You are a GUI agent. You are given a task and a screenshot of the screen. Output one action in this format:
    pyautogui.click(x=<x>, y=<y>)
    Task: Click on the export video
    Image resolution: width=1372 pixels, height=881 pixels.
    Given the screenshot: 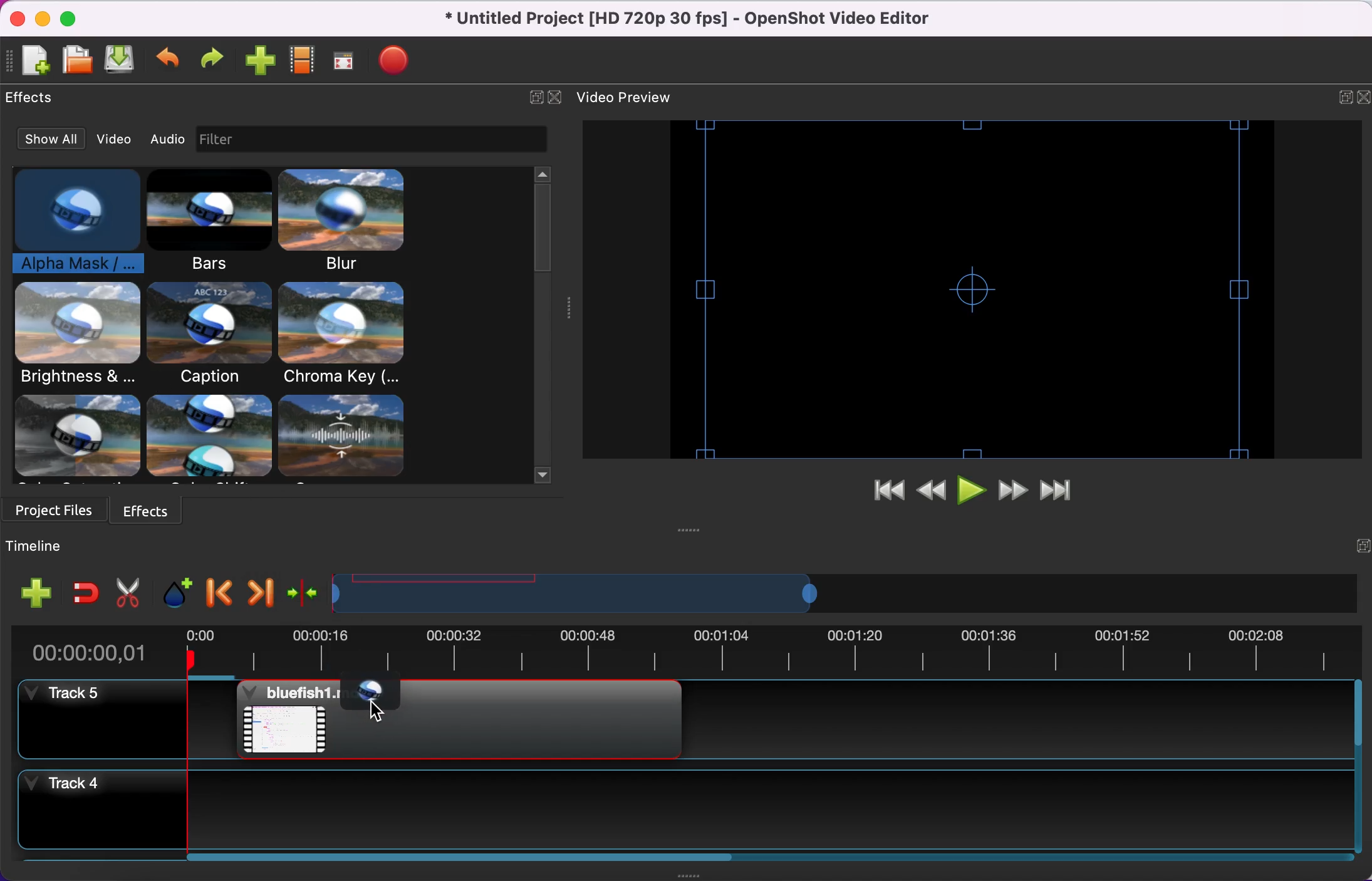 What is the action you would take?
    pyautogui.click(x=397, y=63)
    